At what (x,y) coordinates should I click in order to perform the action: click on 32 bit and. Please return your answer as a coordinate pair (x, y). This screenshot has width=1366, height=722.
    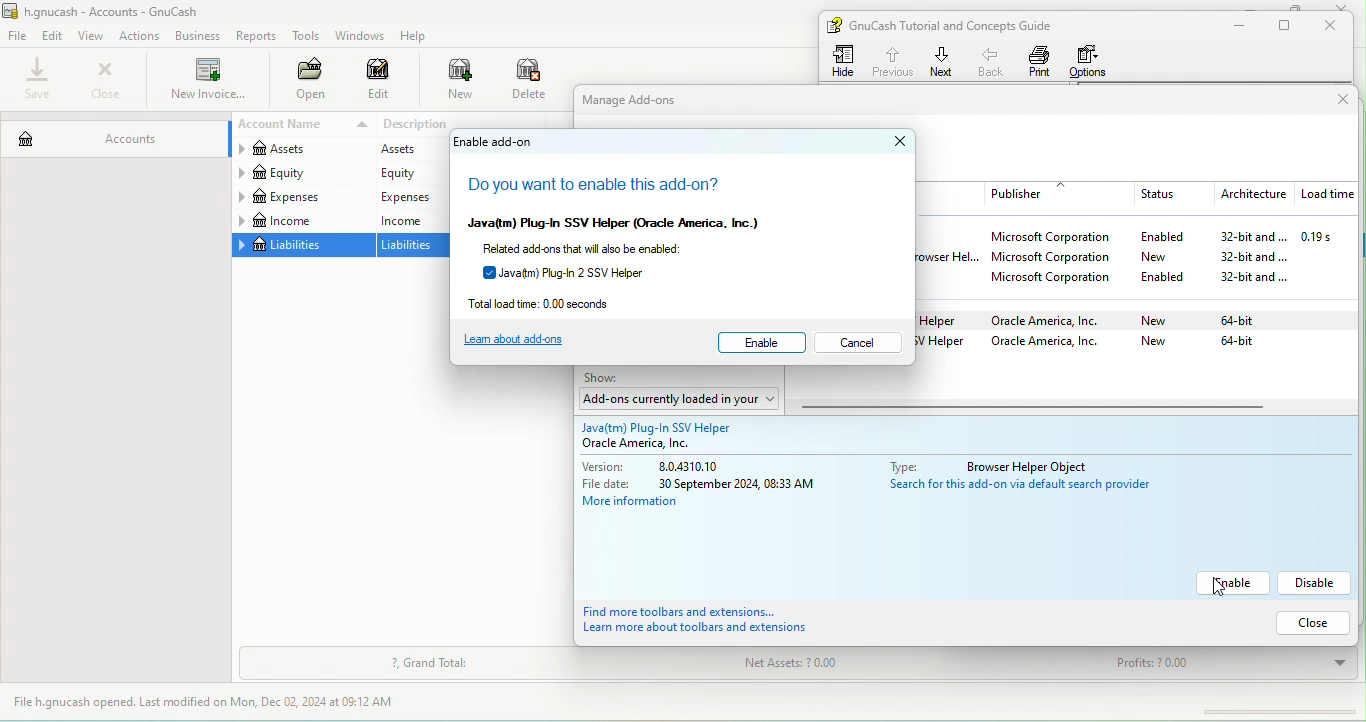
    Looking at the image, I should click on (1255, 279).